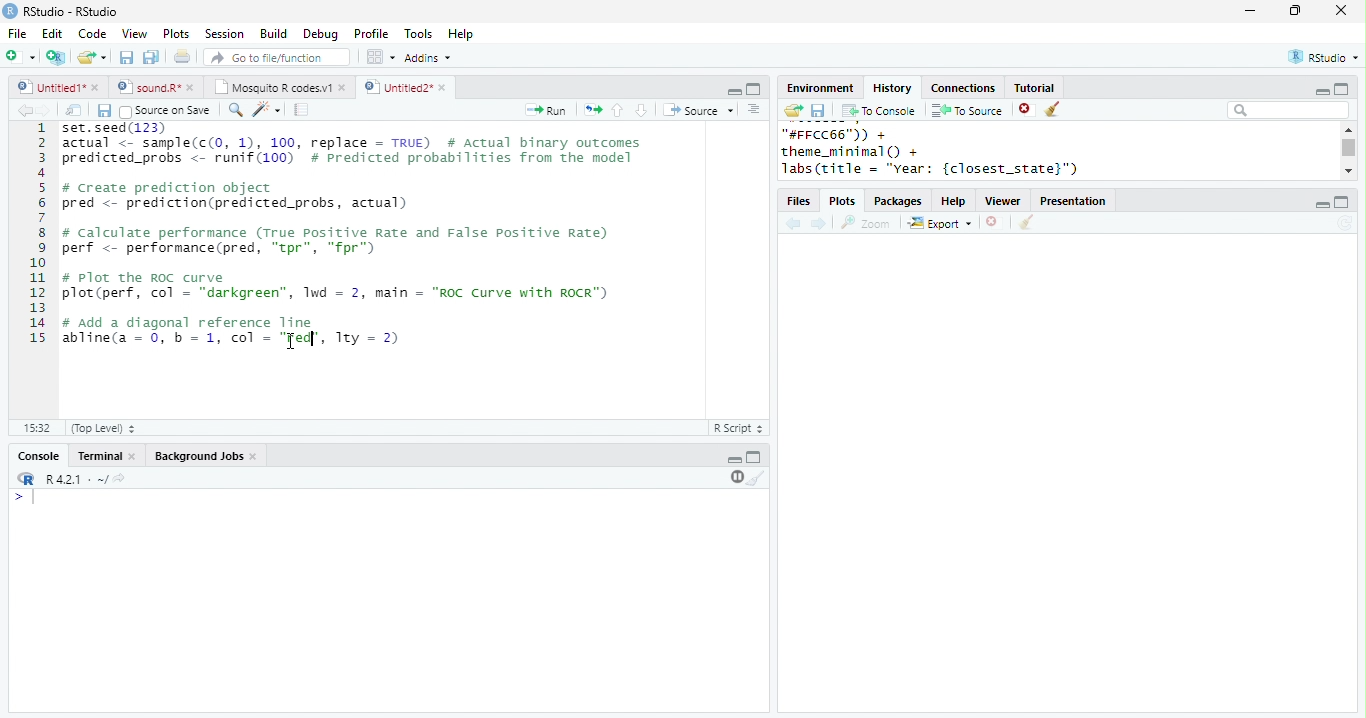 This screenshot has height=718, width=1366. Describe the element at coordinates (75, 110) in the screenshot. I see `show in new window` at that location.